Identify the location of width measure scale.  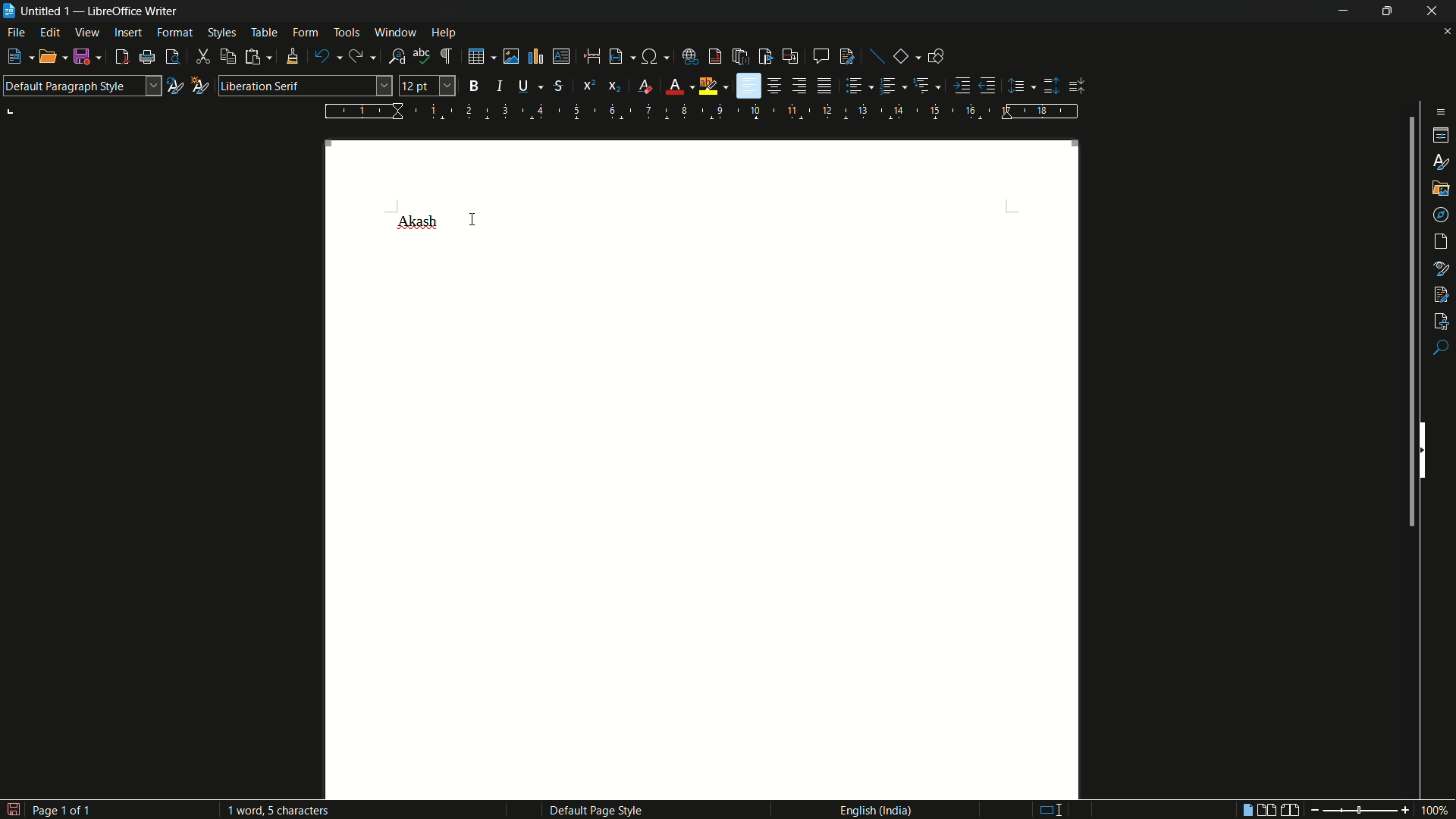
(703, 111).